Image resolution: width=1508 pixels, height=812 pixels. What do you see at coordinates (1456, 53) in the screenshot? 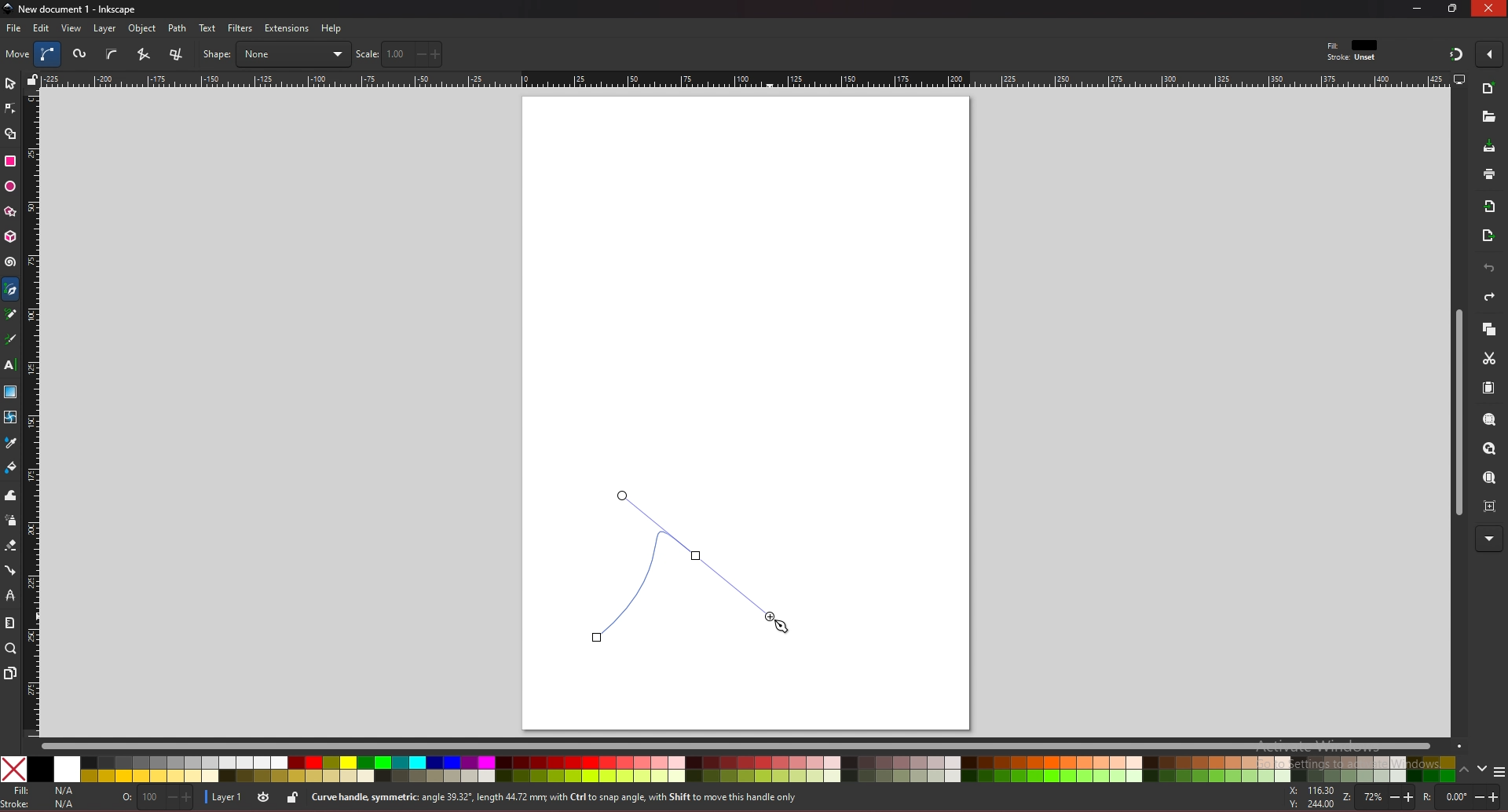
I see `snapping` at bounding box center [1456, 53].